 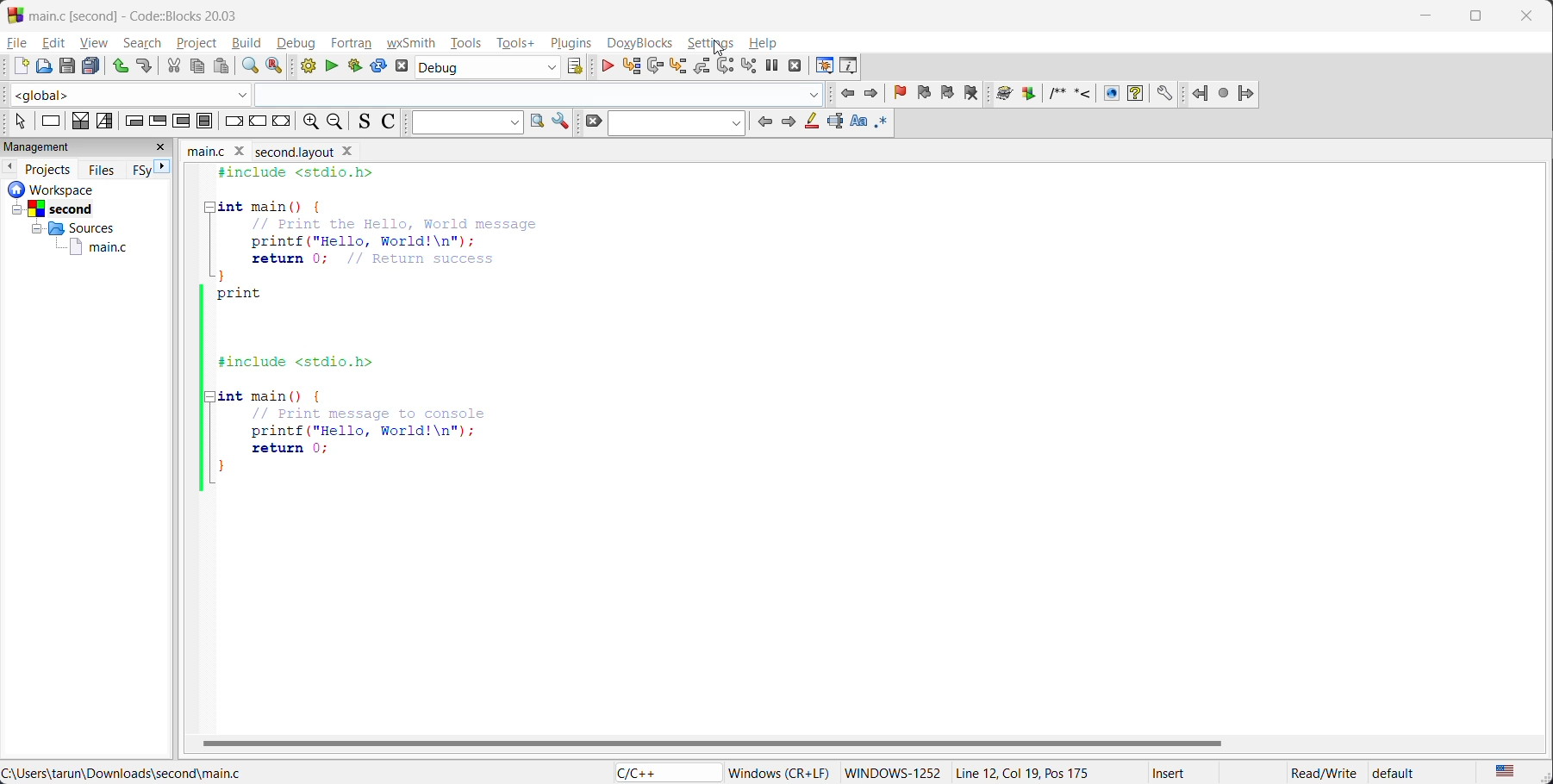 I want to click on exit condition loop, so click(x=155, y=121).